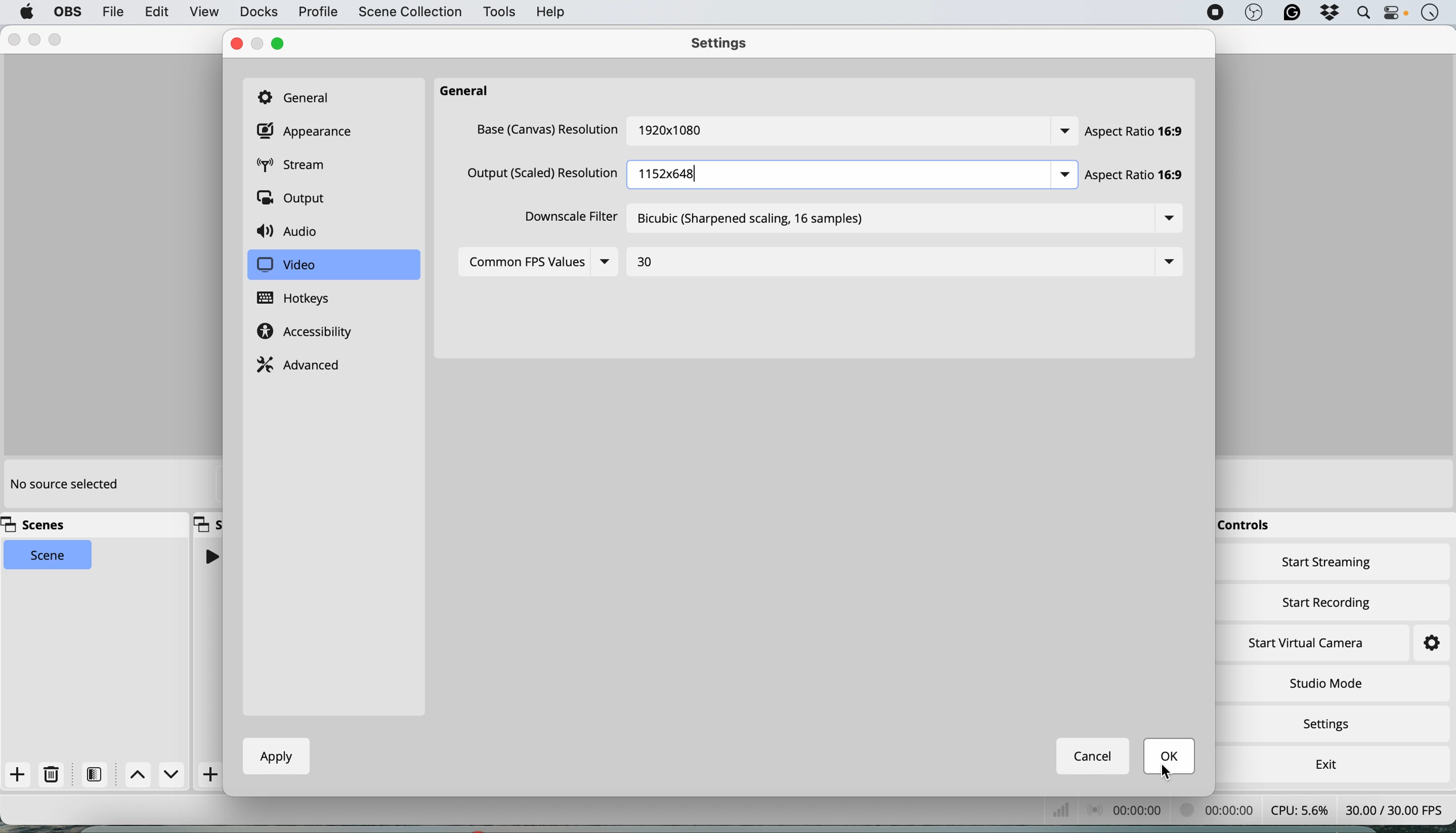 Image resolution: width=1456 pixels, height=833 pixels. I want to click on cursor, so click(1167, 771).